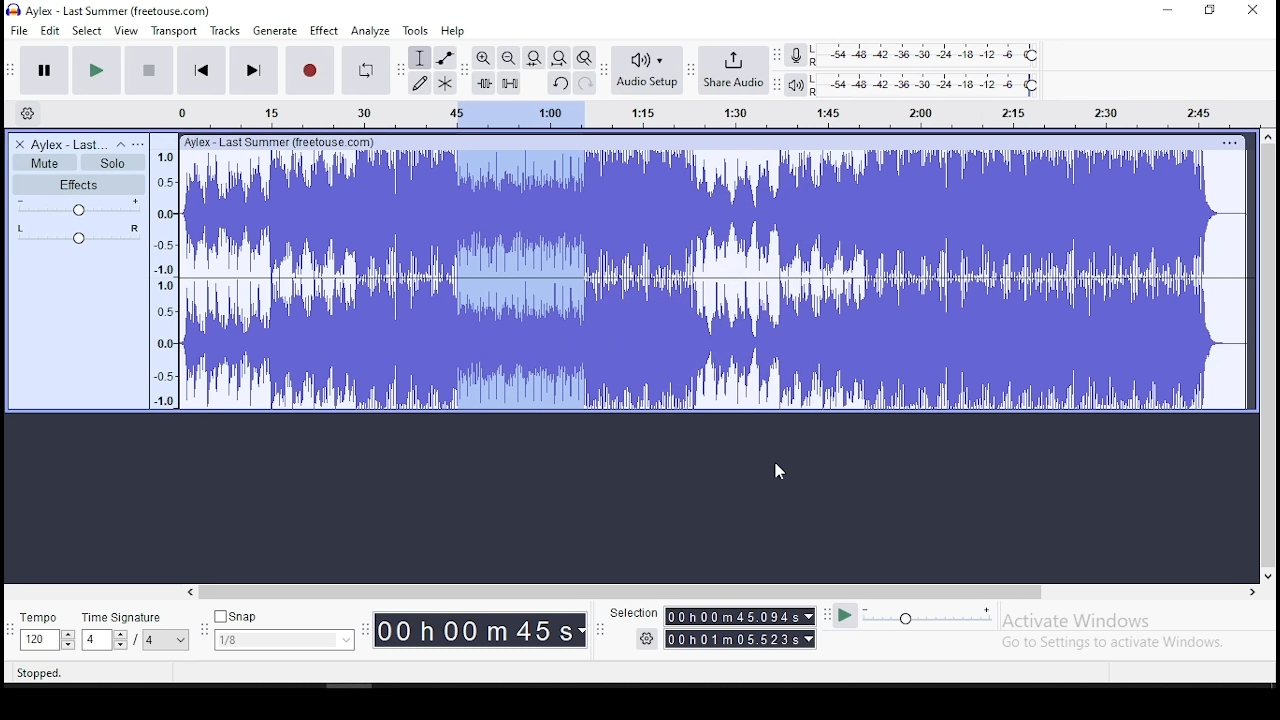  I want to click on view, so click(127, 31).